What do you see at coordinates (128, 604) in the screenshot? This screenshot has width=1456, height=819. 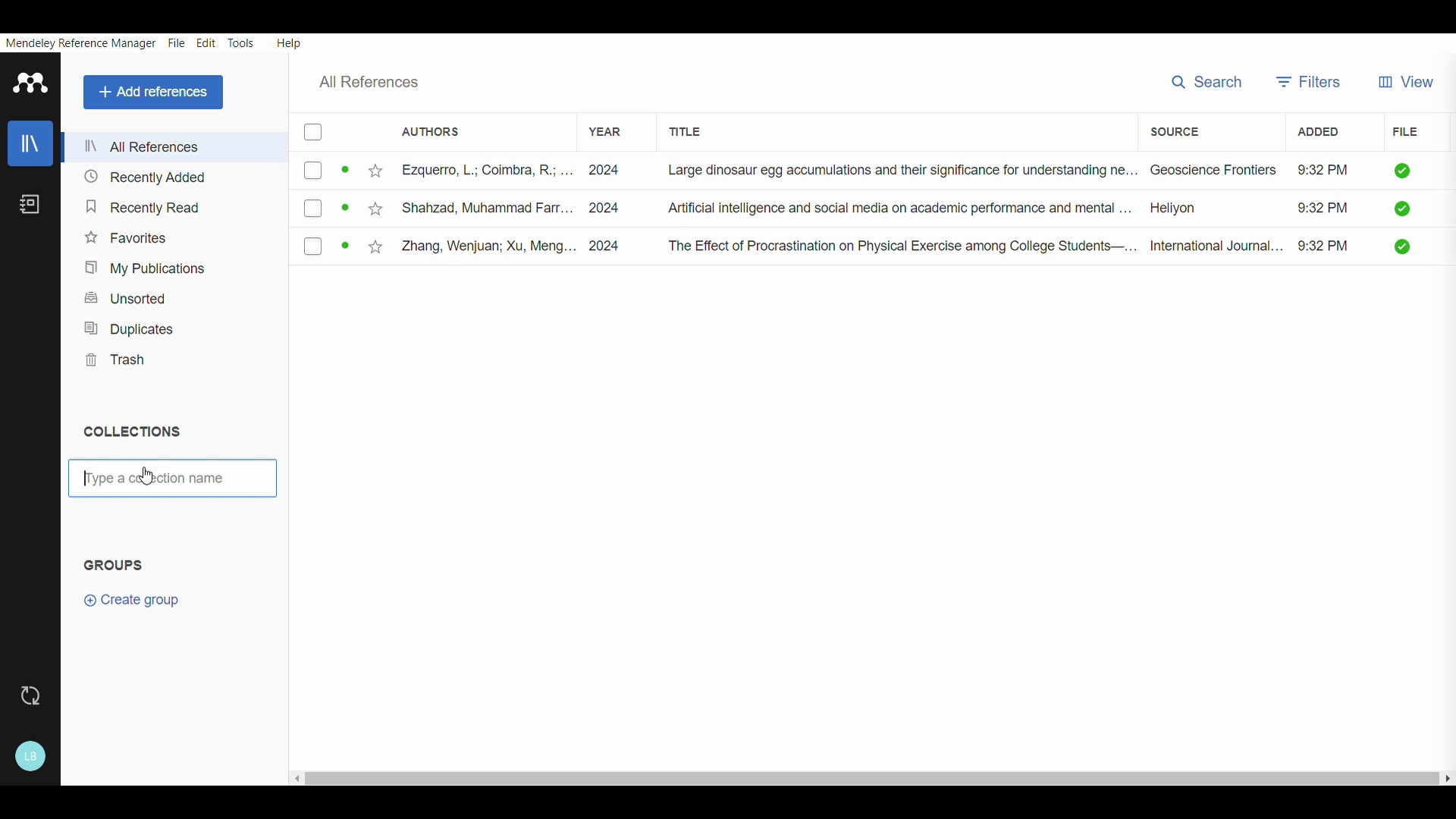 I see `Create group` at bounding box center [128, 604].